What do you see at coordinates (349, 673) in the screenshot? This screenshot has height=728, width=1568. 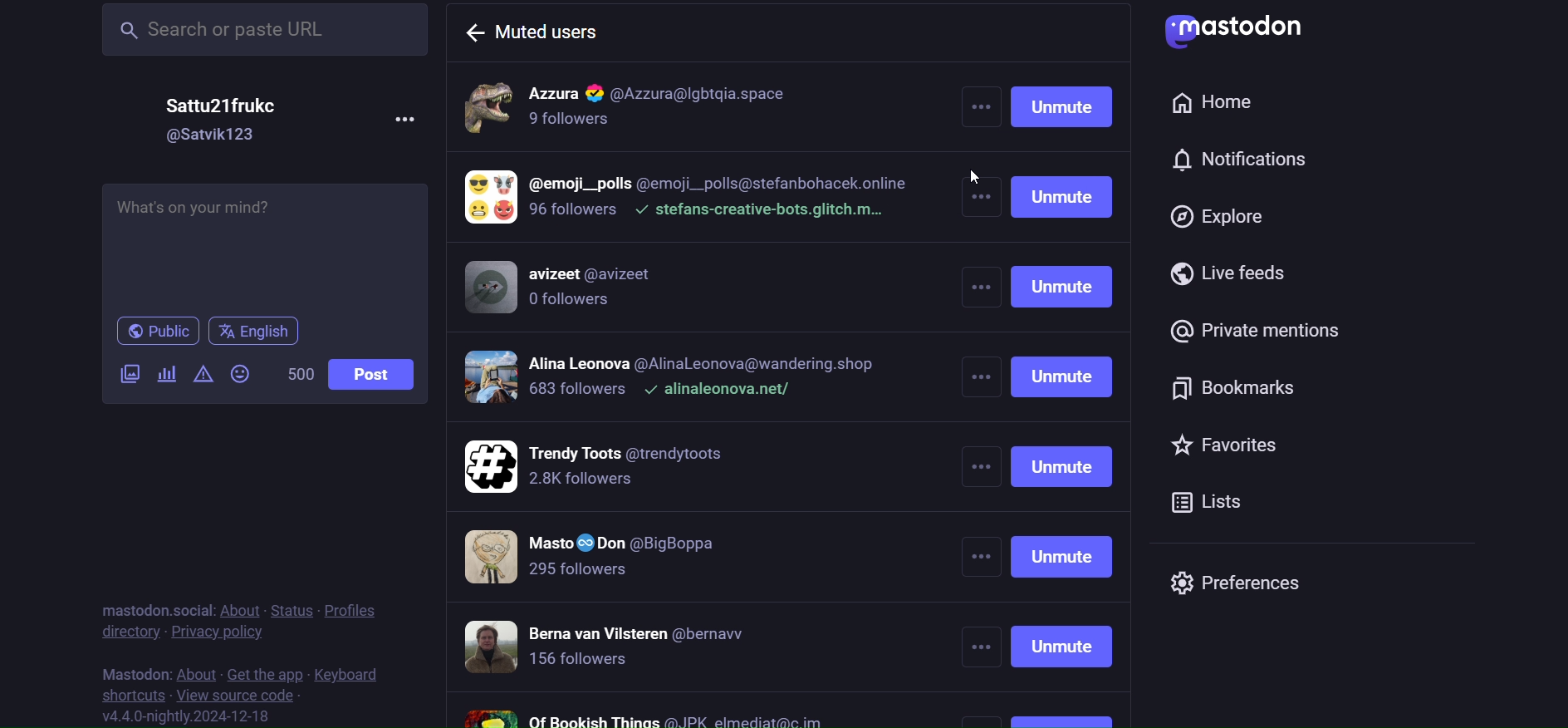 I see `keyboard` at bounding box center [349, 673].